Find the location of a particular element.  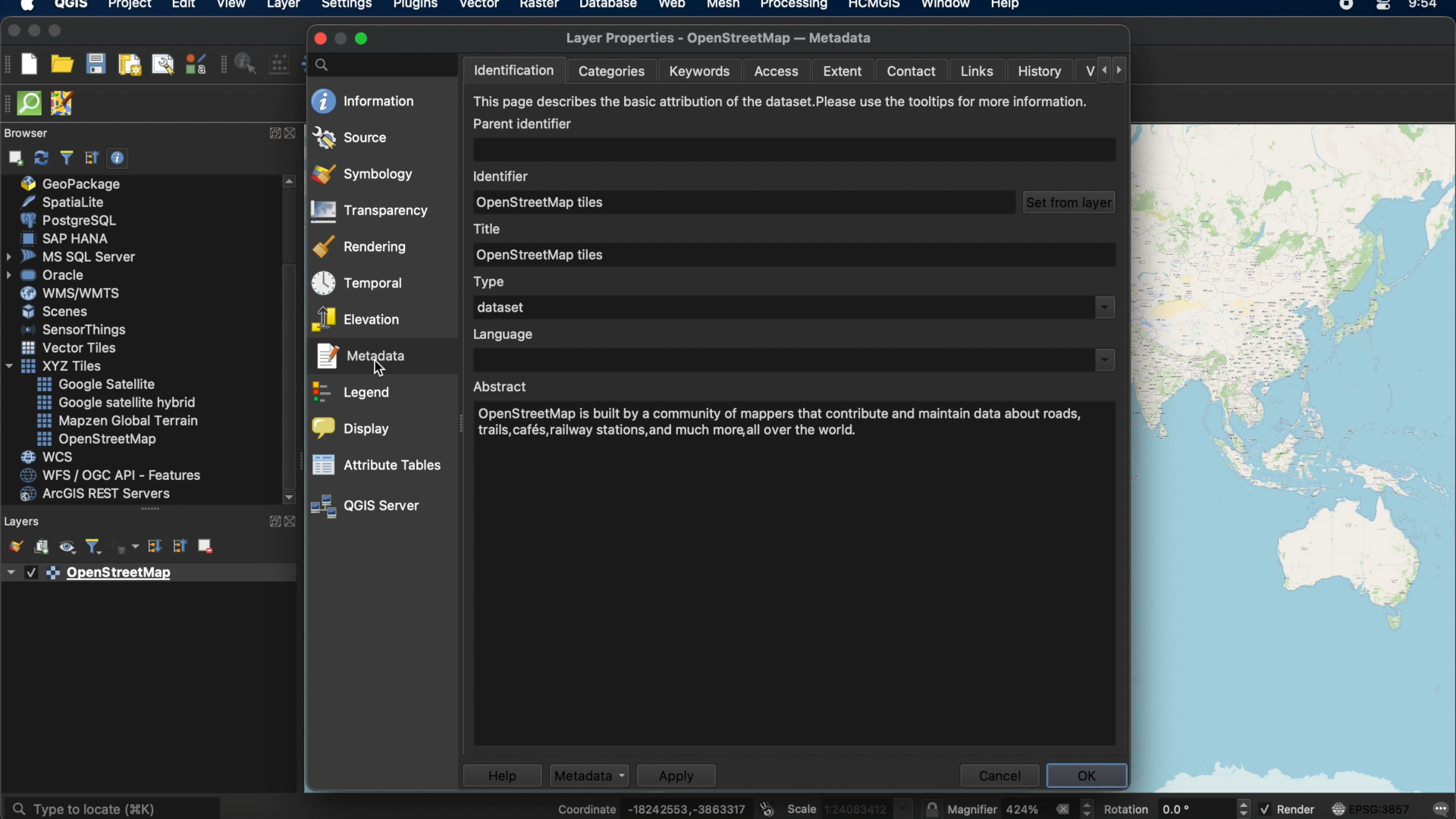

LAYER is located at coordinates (281, 8).